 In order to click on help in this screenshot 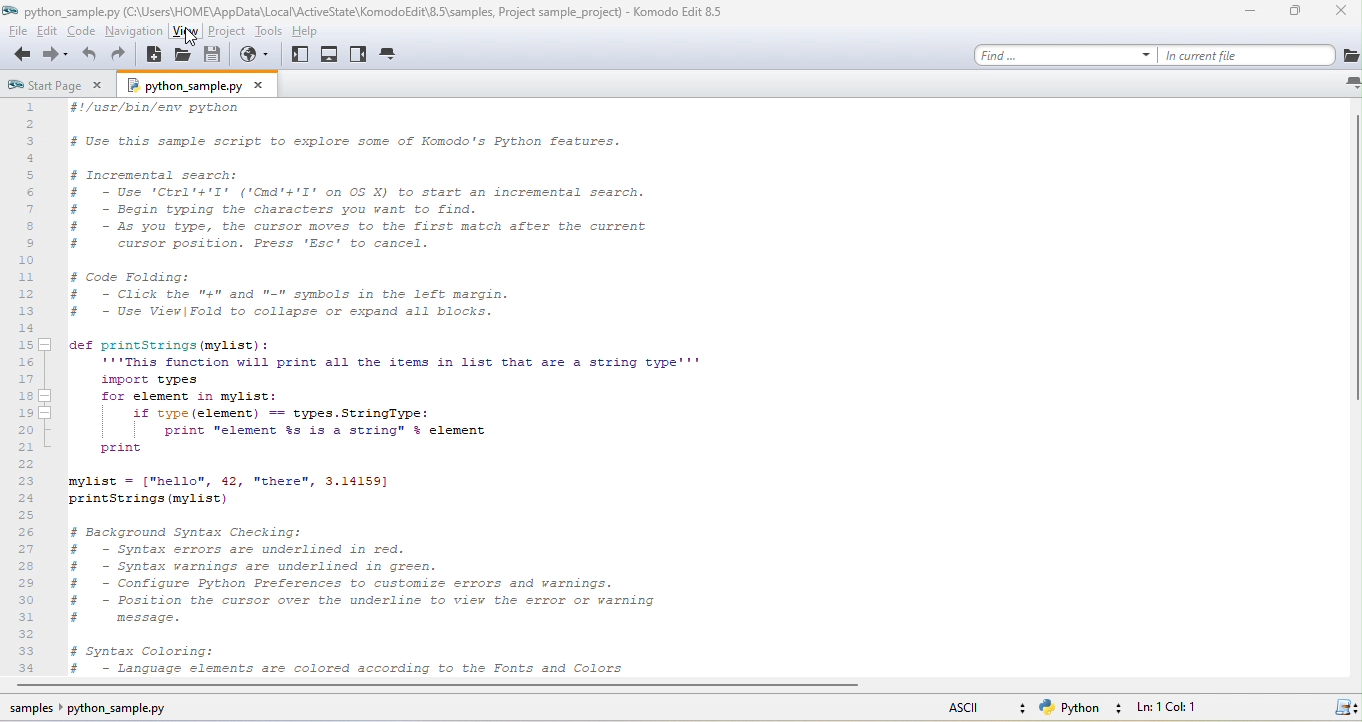, I will do `click(322, 34)`.